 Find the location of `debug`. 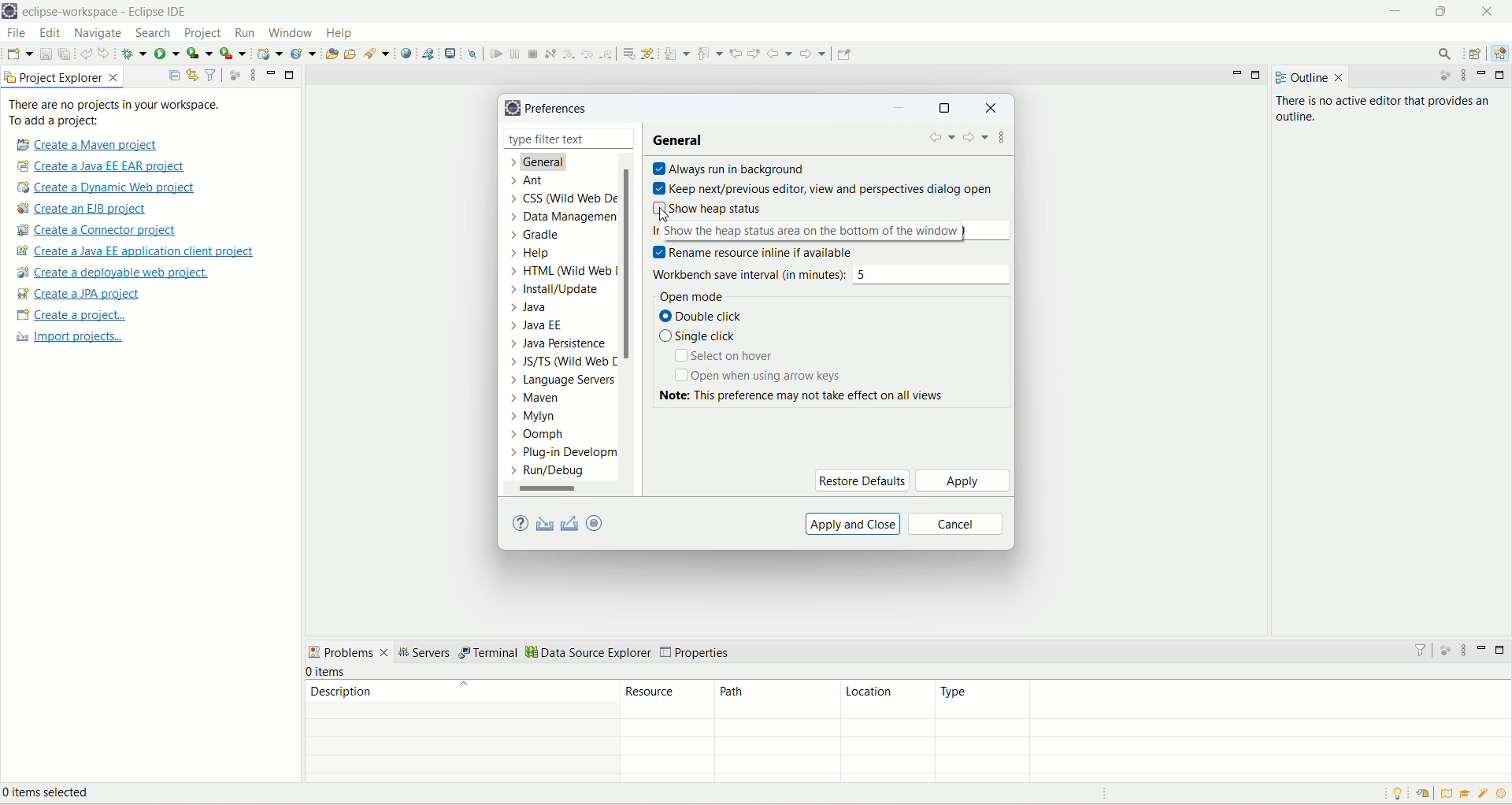

debug is located at coordinates (134, 54).